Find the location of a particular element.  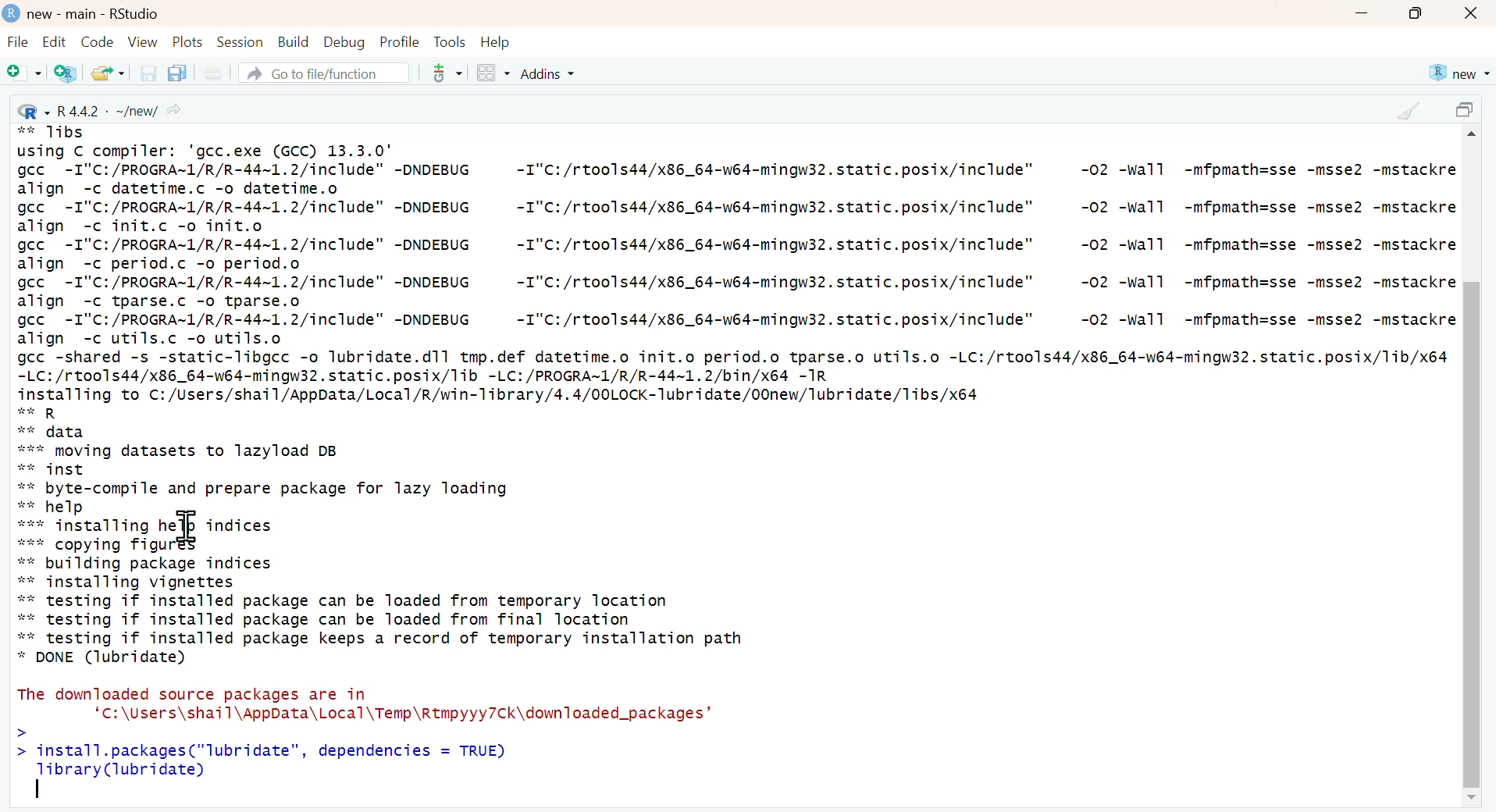

clear console is located at coordinates (1408, 111).